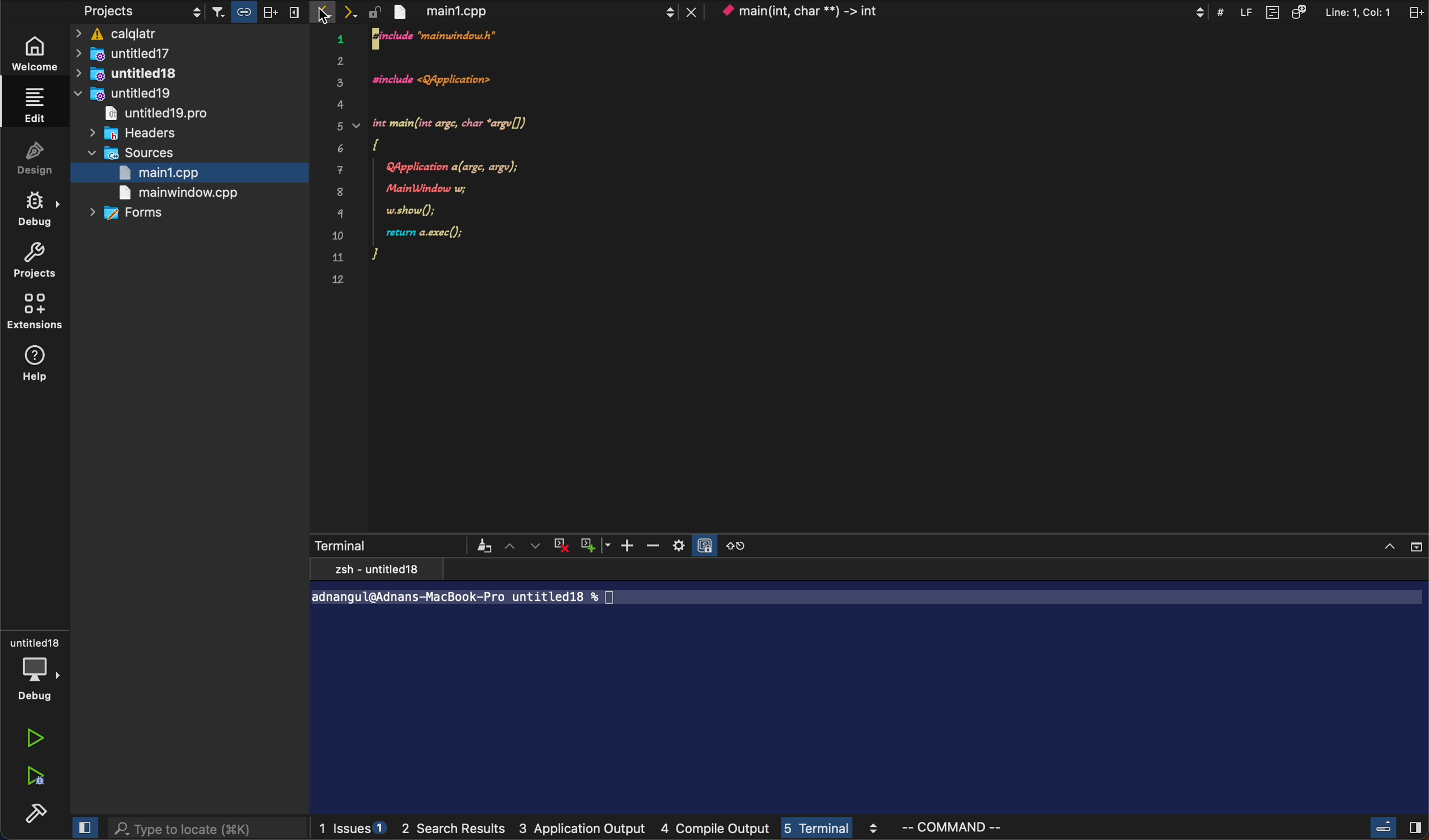  What do you see at coordinates (136, 154) in the screenshot?
I see `sources` at bounding box center [136, 154].